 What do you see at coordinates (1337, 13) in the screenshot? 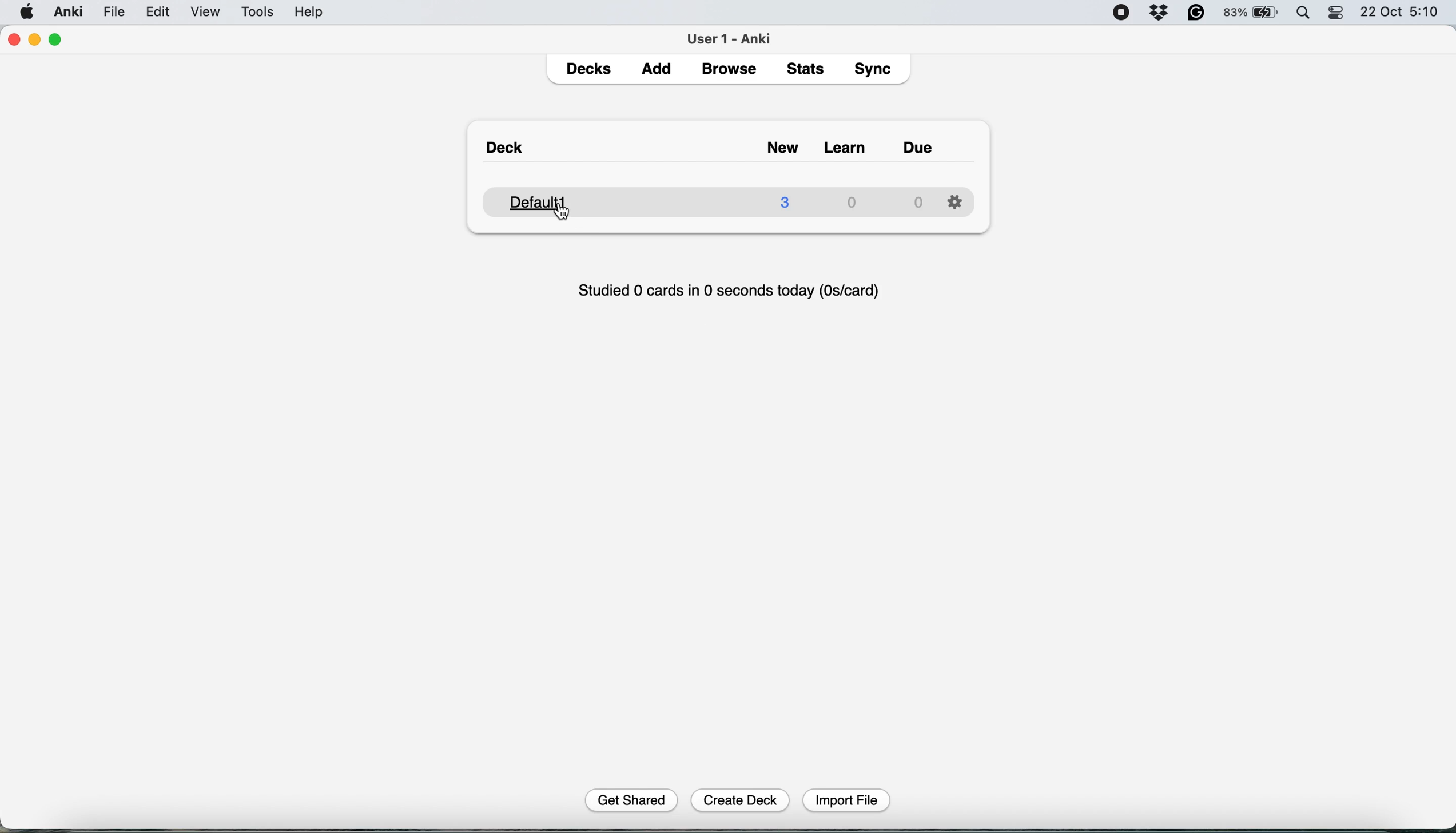
I see `control center` at bounding box center [1337, 13].